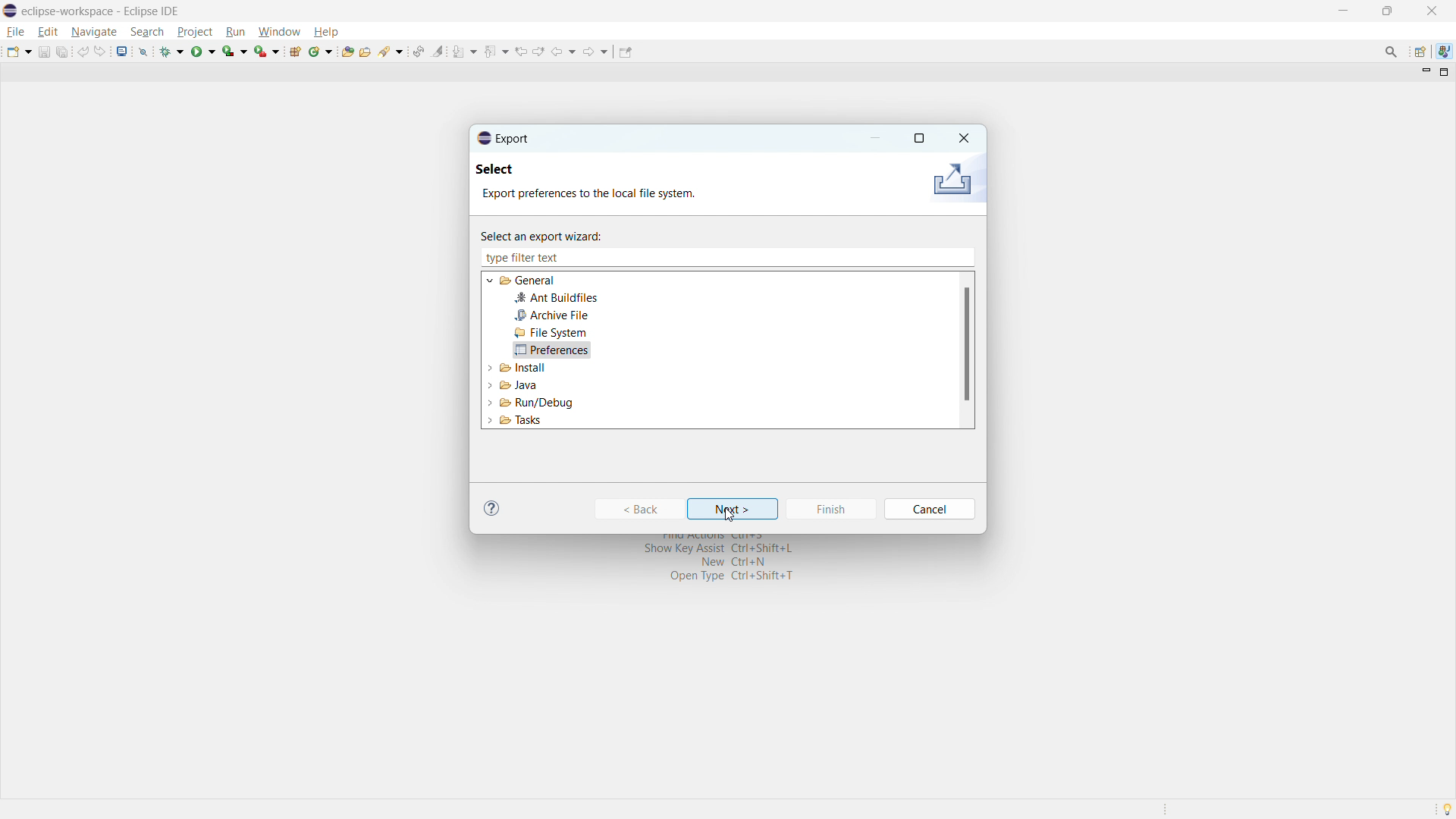 The height and width of the screenshot is (819, 1456). Describe the element at coordinates (877, 138) in the screenshot. I see `minimize` at that location.